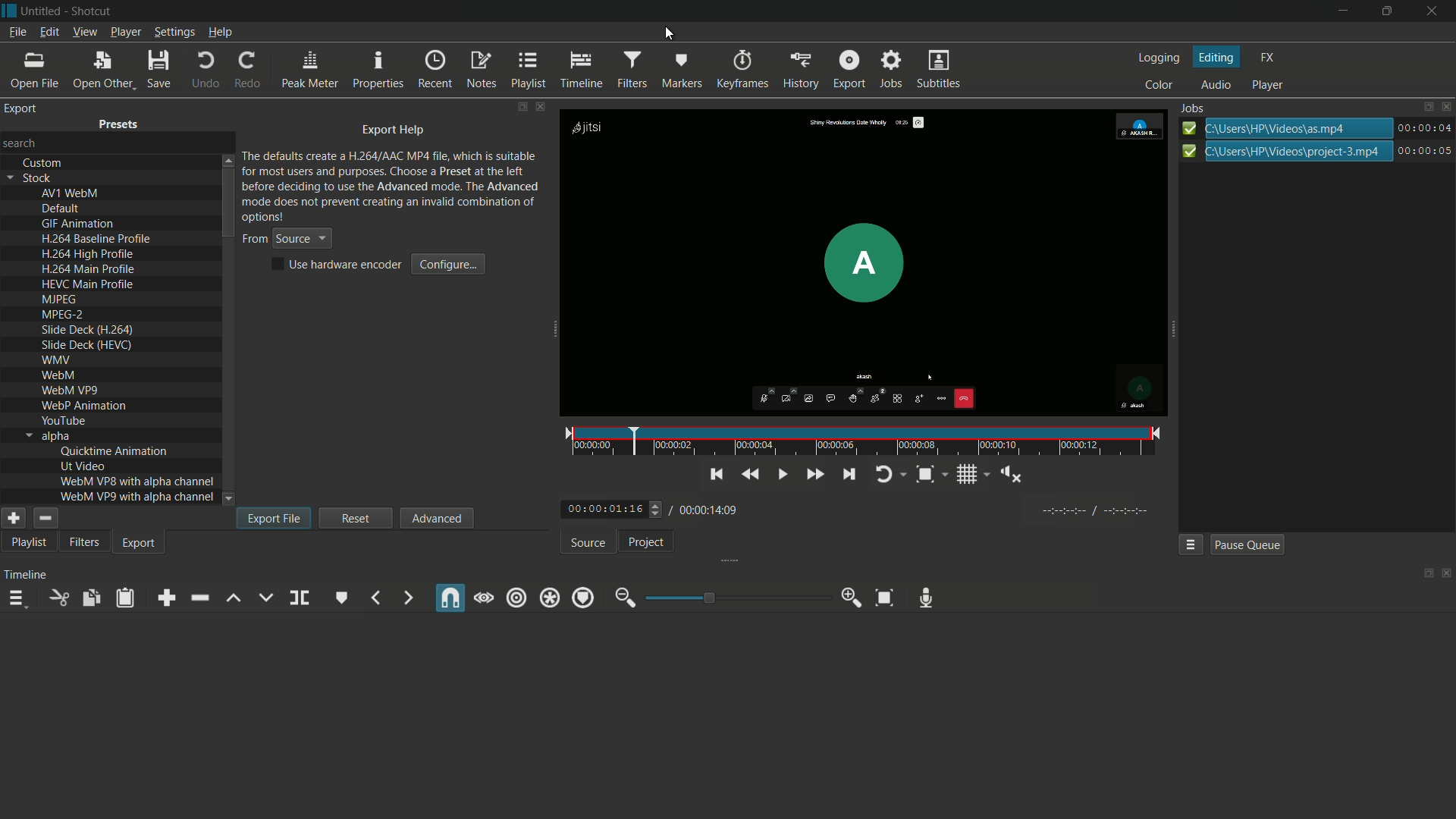 Image resolution: width=1456 pixels, height=819 pixels. I want to click on Use hardware encoder, so click(336, 265).